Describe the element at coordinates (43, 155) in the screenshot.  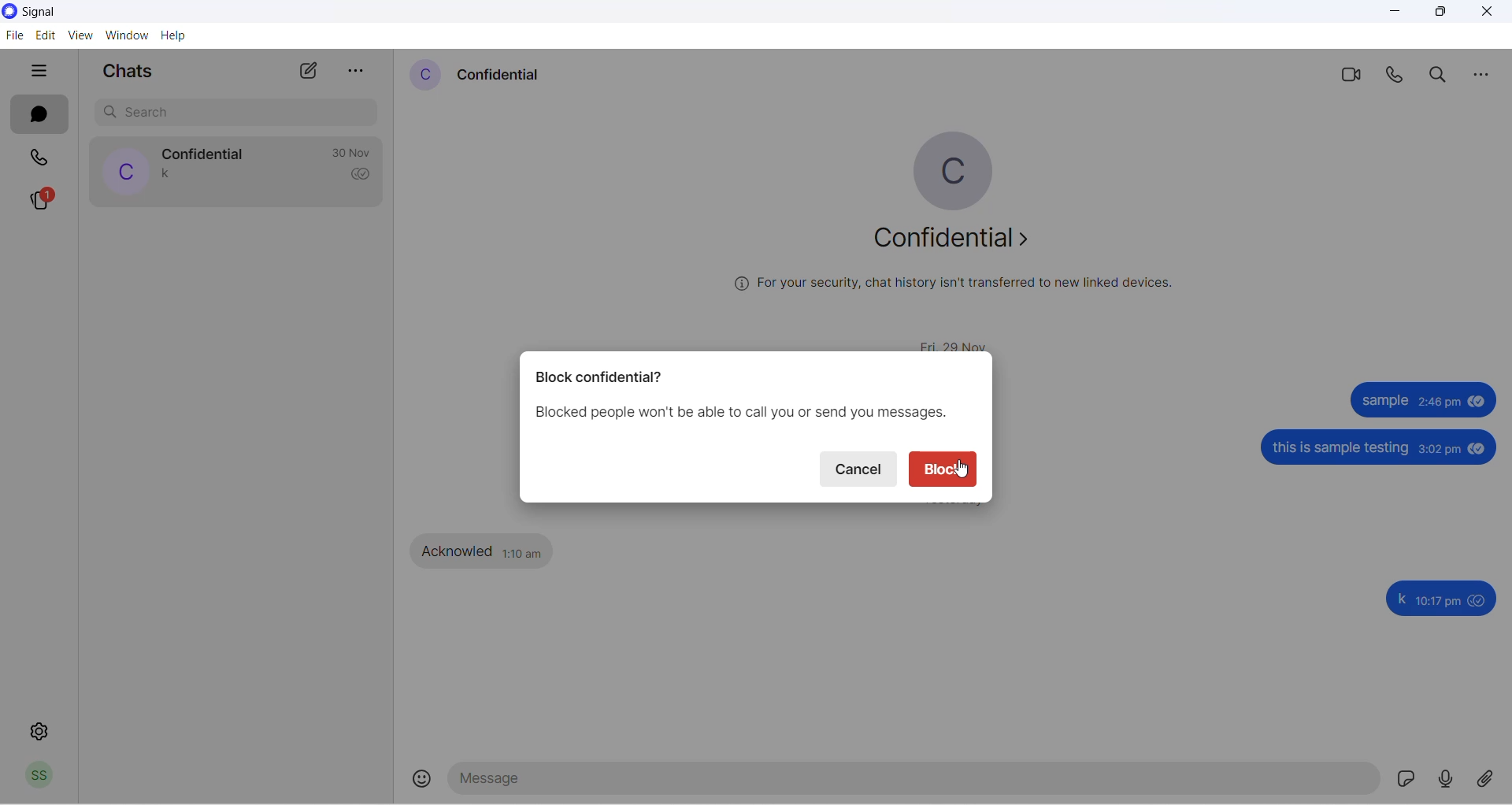
I see `calls` at that location.